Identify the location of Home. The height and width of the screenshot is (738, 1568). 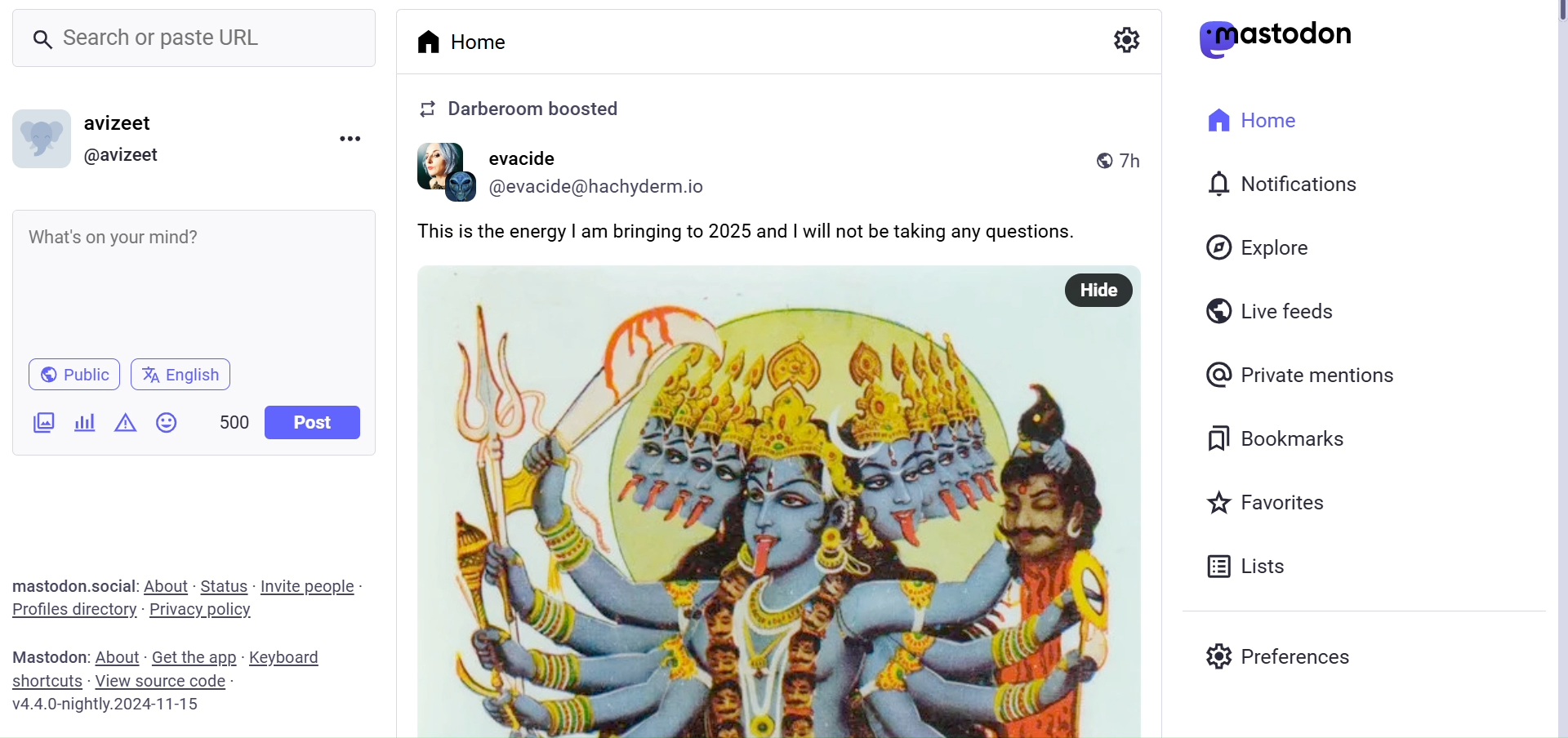
(1253, 120).